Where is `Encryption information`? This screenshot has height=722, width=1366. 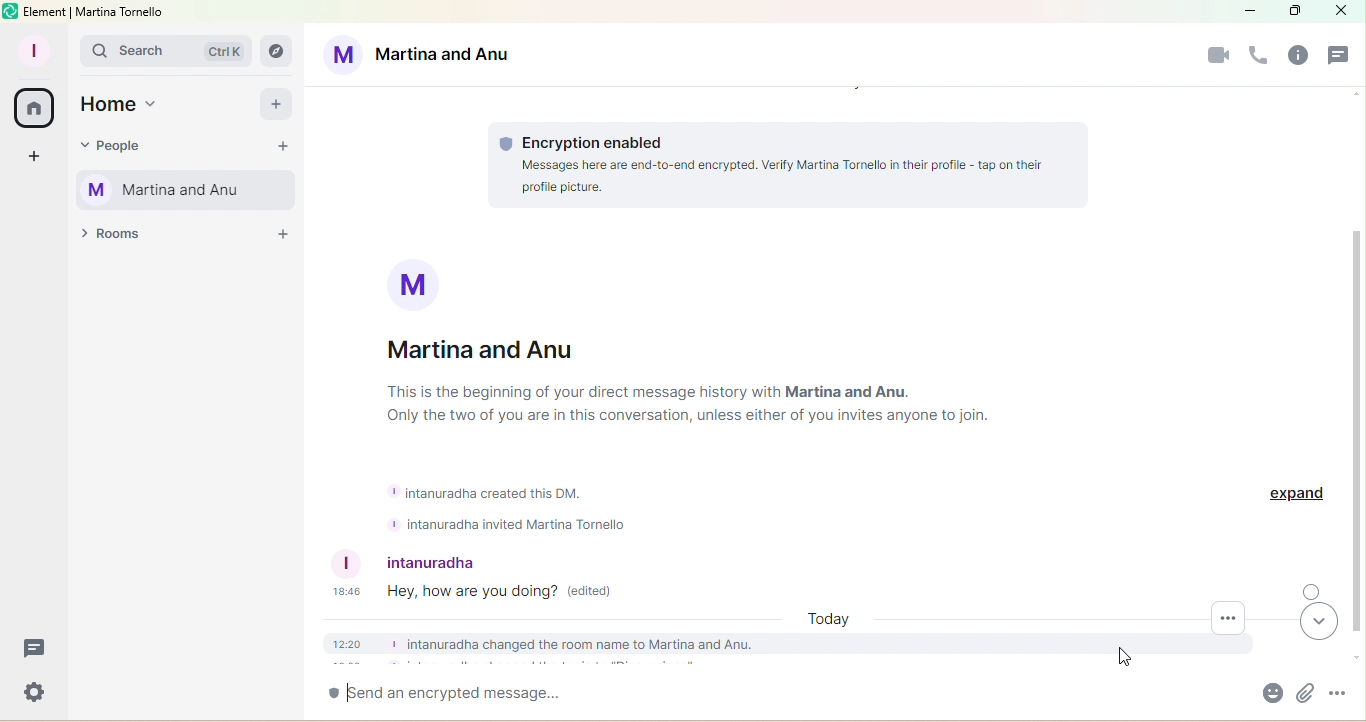
Encryption information is located at coordinates (787, 163).